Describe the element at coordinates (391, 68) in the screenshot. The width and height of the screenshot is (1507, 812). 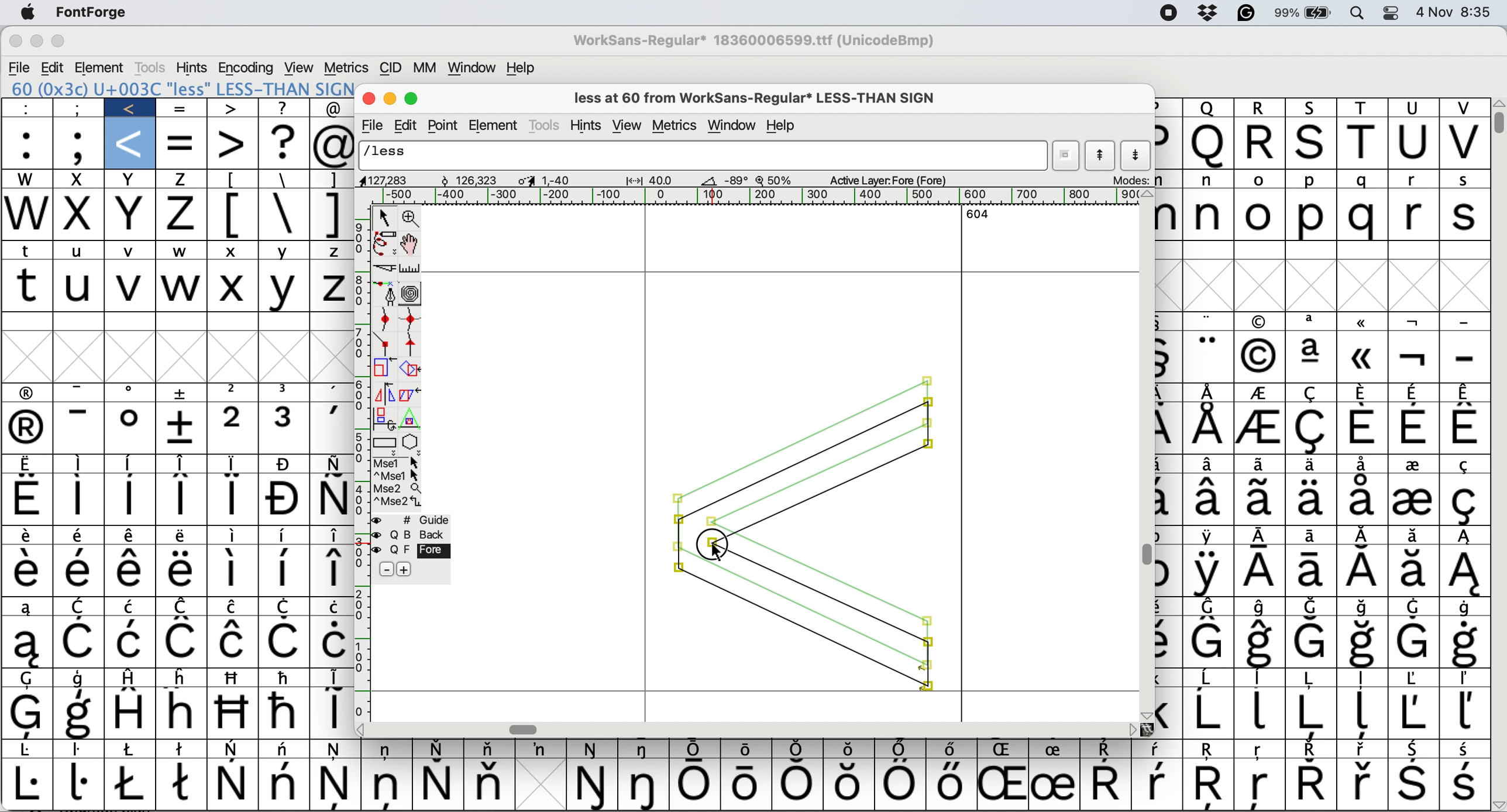
I see `cid` at that location.